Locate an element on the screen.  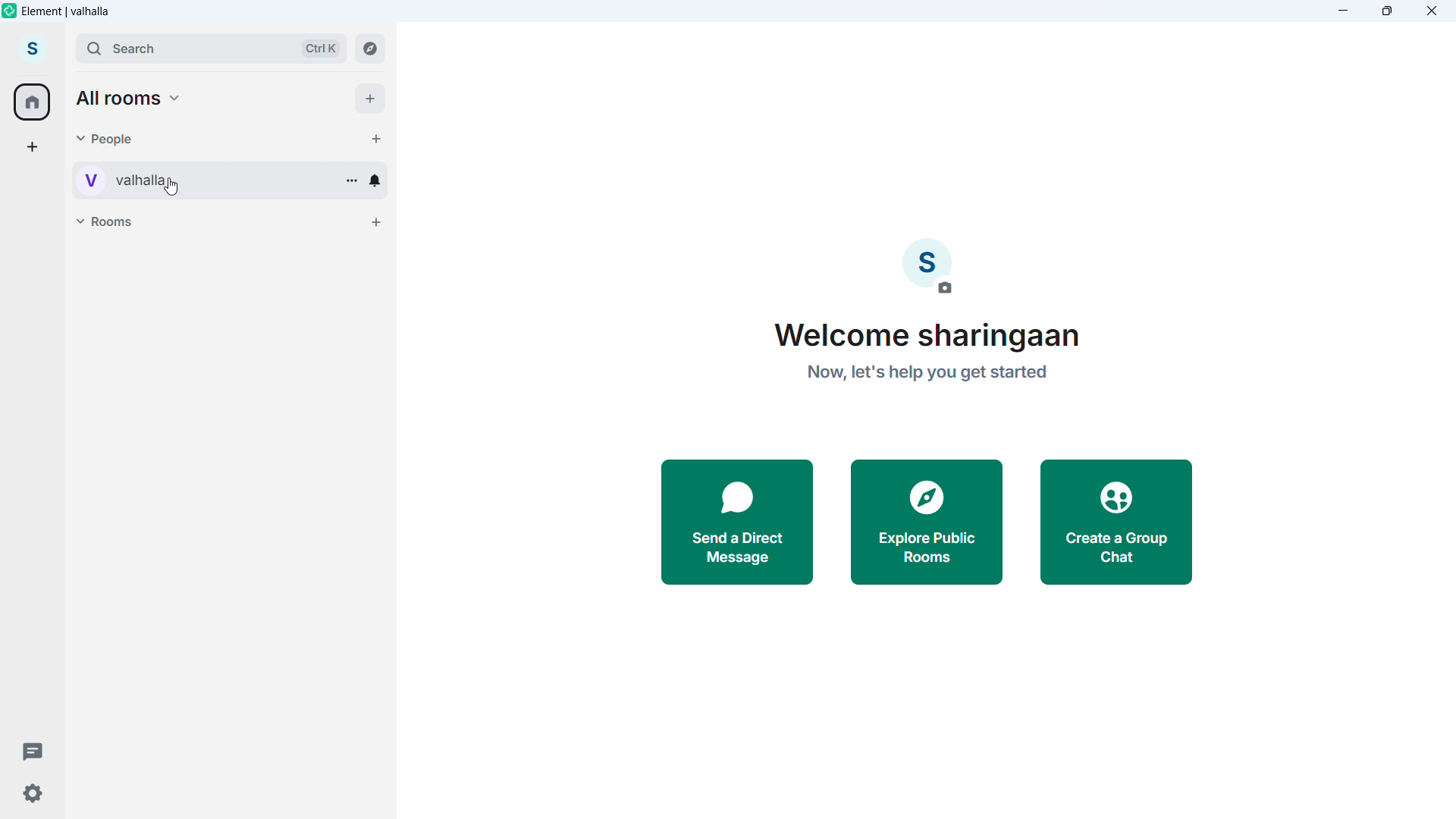
account is located at coordinates (31, 50).